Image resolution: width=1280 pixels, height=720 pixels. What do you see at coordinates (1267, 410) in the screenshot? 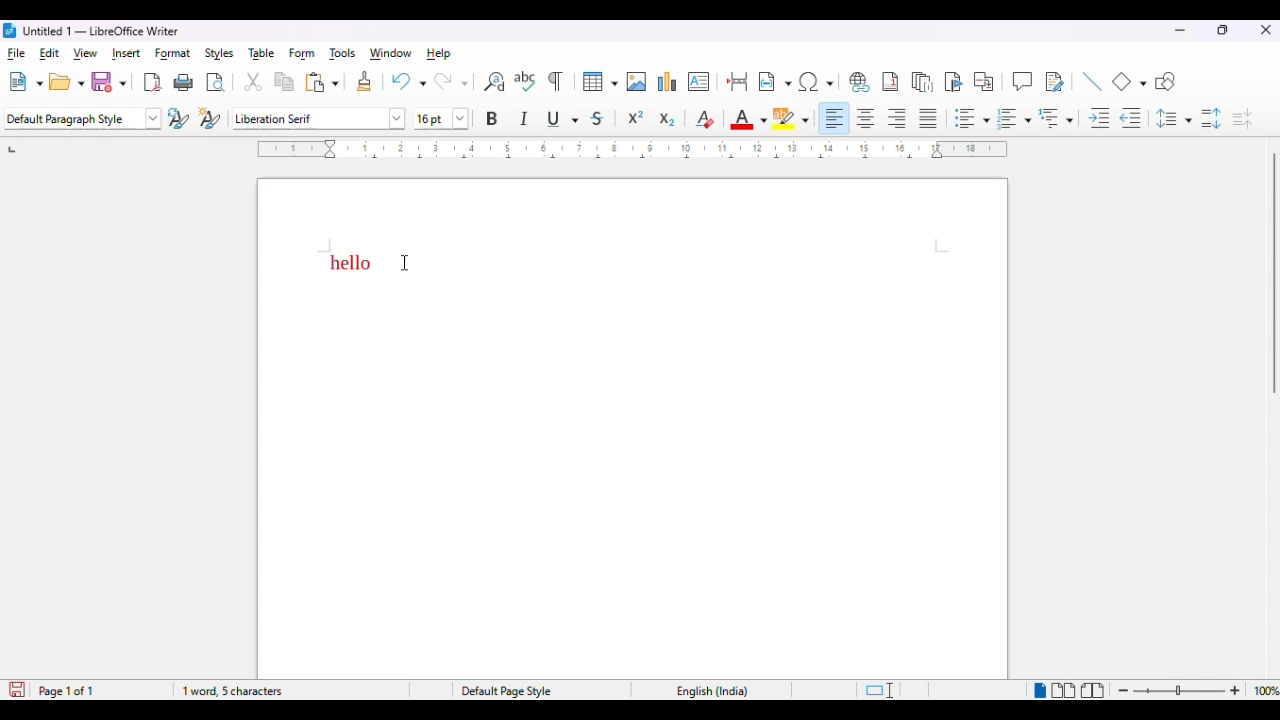
I see `Scrollbar` at bounding box center [1267, 410].